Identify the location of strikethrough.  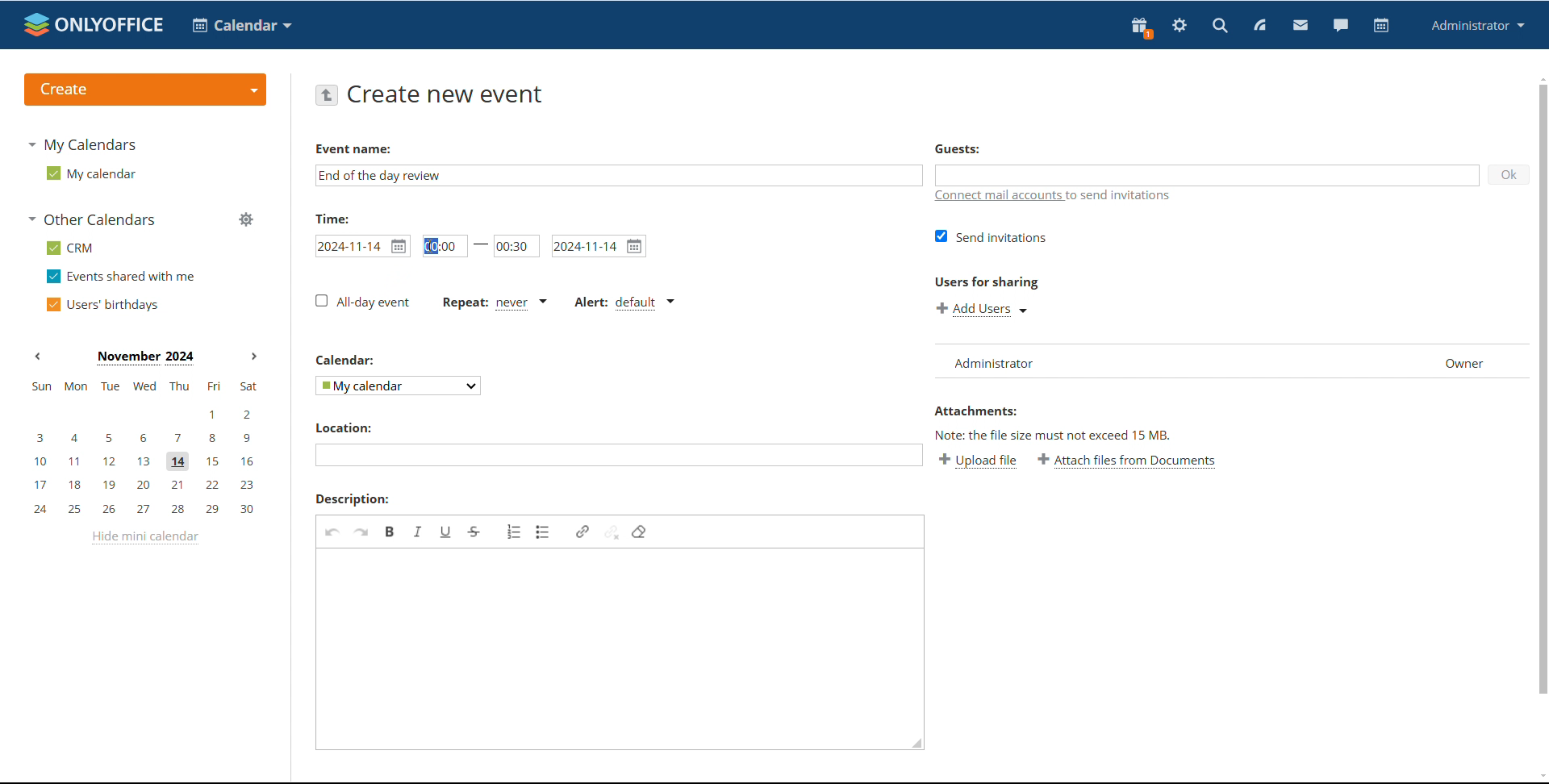
(474, 532).